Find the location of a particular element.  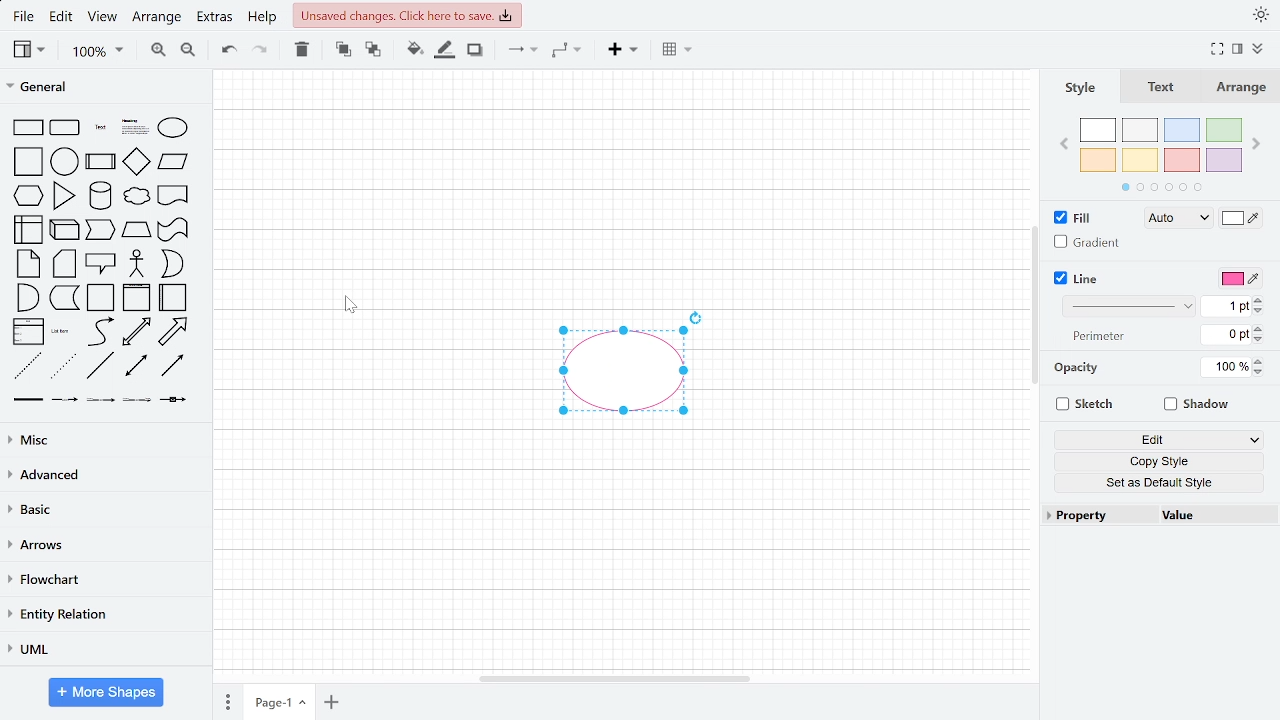

Current OPacity is located at coordinates (1221, 368).